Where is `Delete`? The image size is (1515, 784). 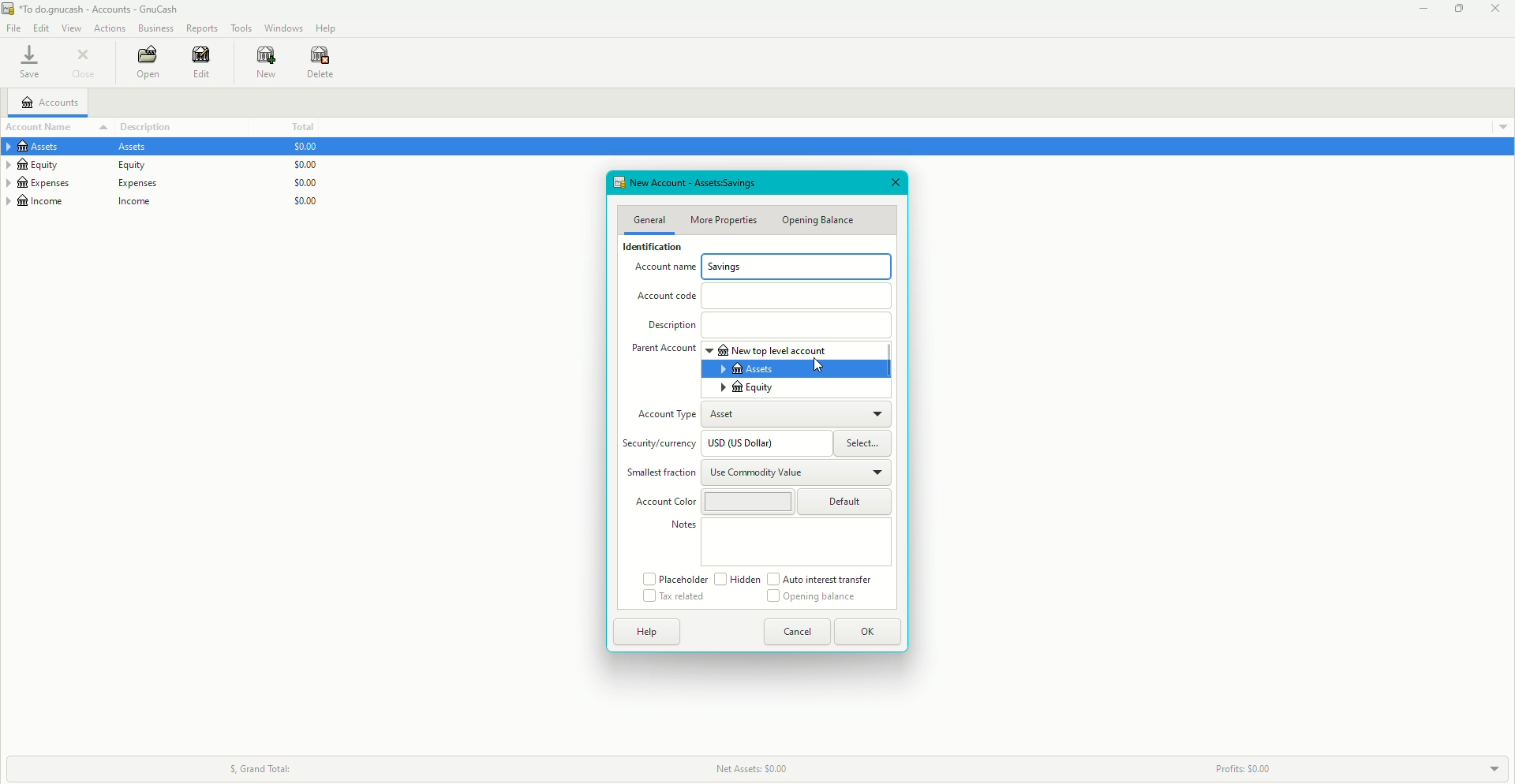 Delete is located at coordinates (320, 62).